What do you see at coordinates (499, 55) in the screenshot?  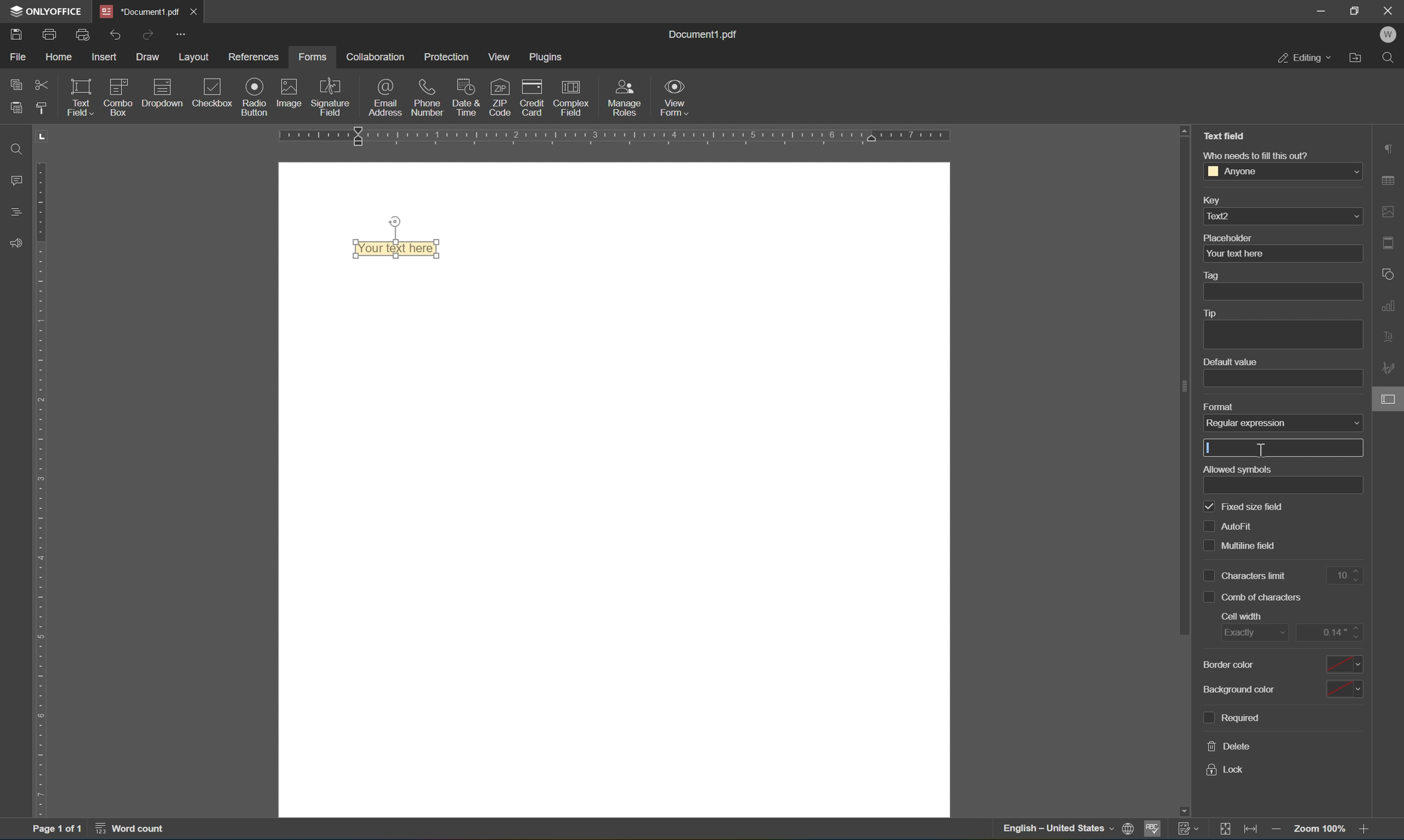 I see `view` at bounding box center [499, 55].